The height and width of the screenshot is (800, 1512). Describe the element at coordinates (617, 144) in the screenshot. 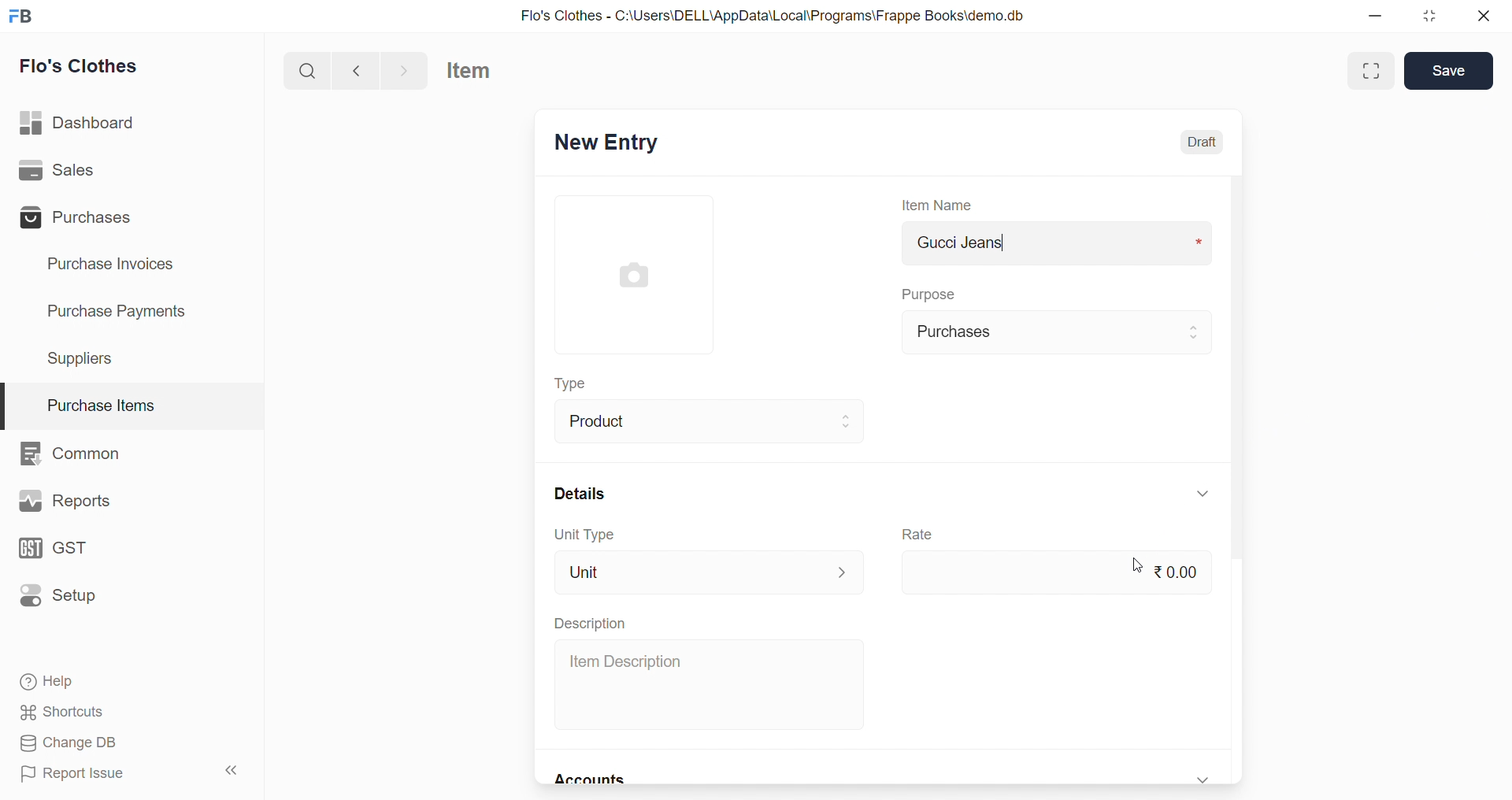

I see `New Entry` at that location.